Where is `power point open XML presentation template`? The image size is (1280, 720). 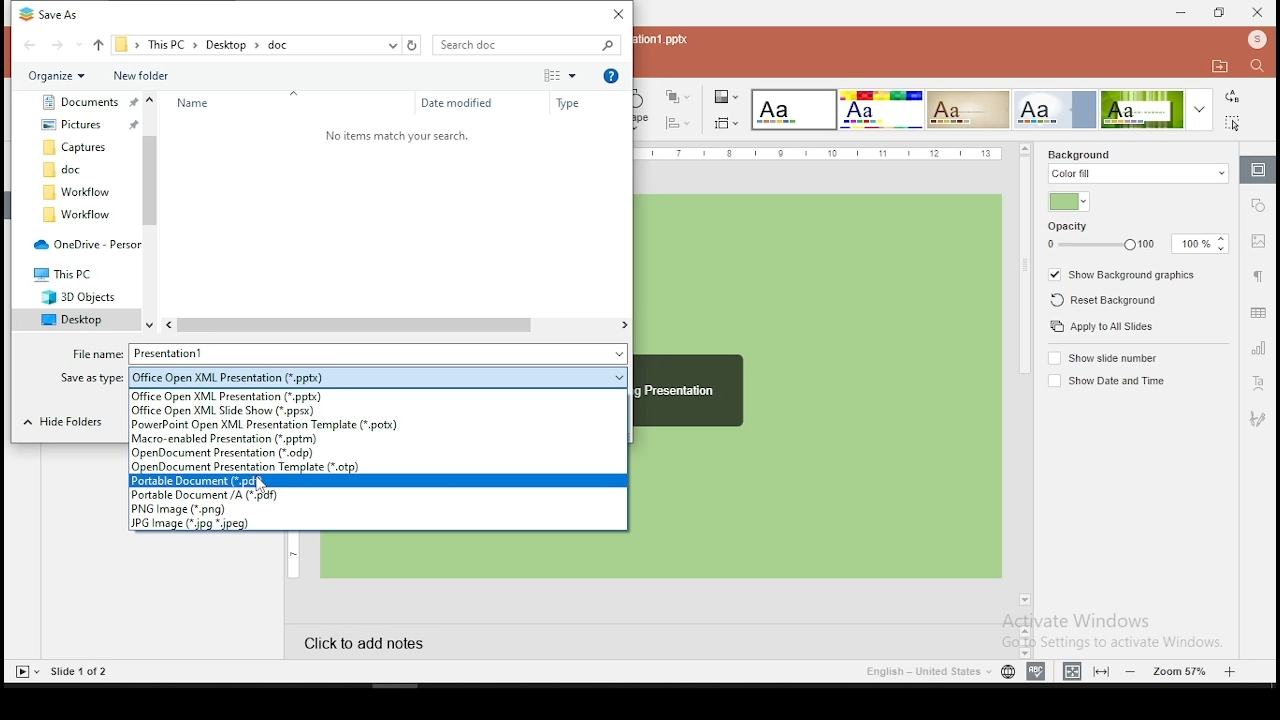
power point open XML presentation template is located at coordinates (378, 426).